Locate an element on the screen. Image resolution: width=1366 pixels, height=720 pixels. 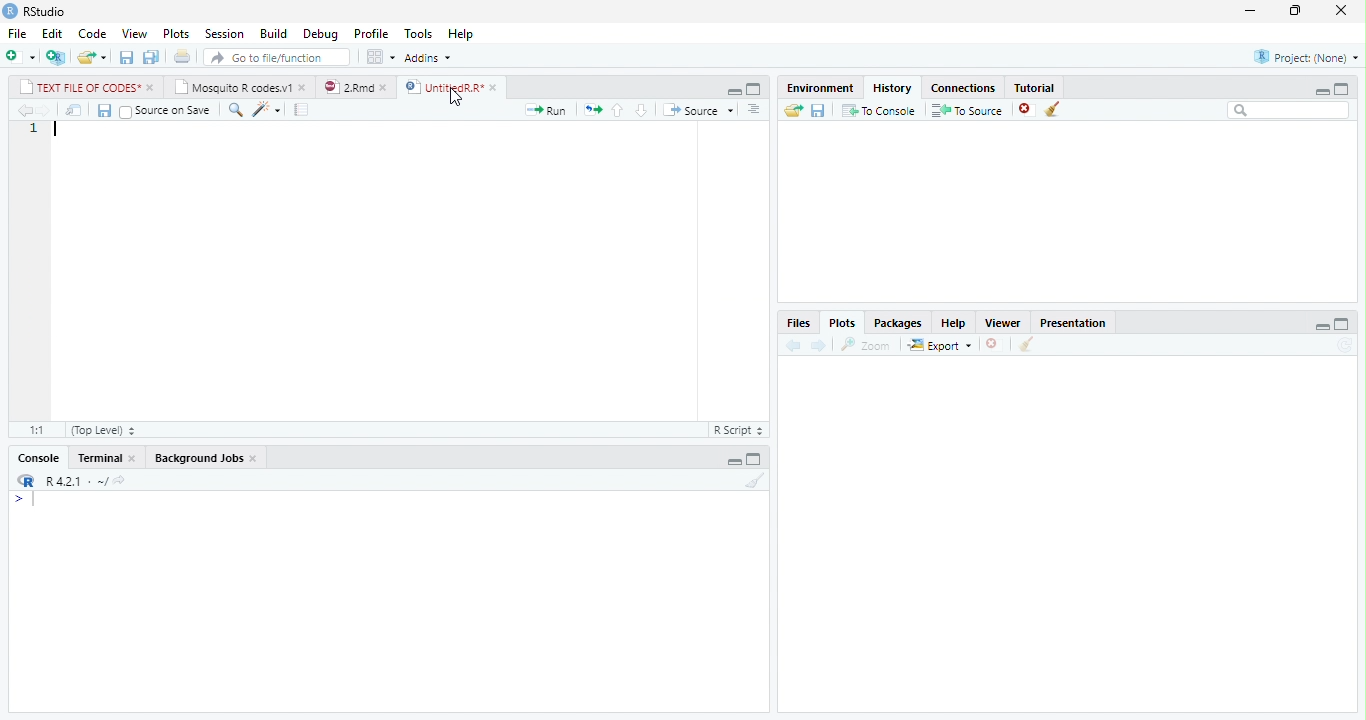
Background Jobs is located at coordinates (198, 458).